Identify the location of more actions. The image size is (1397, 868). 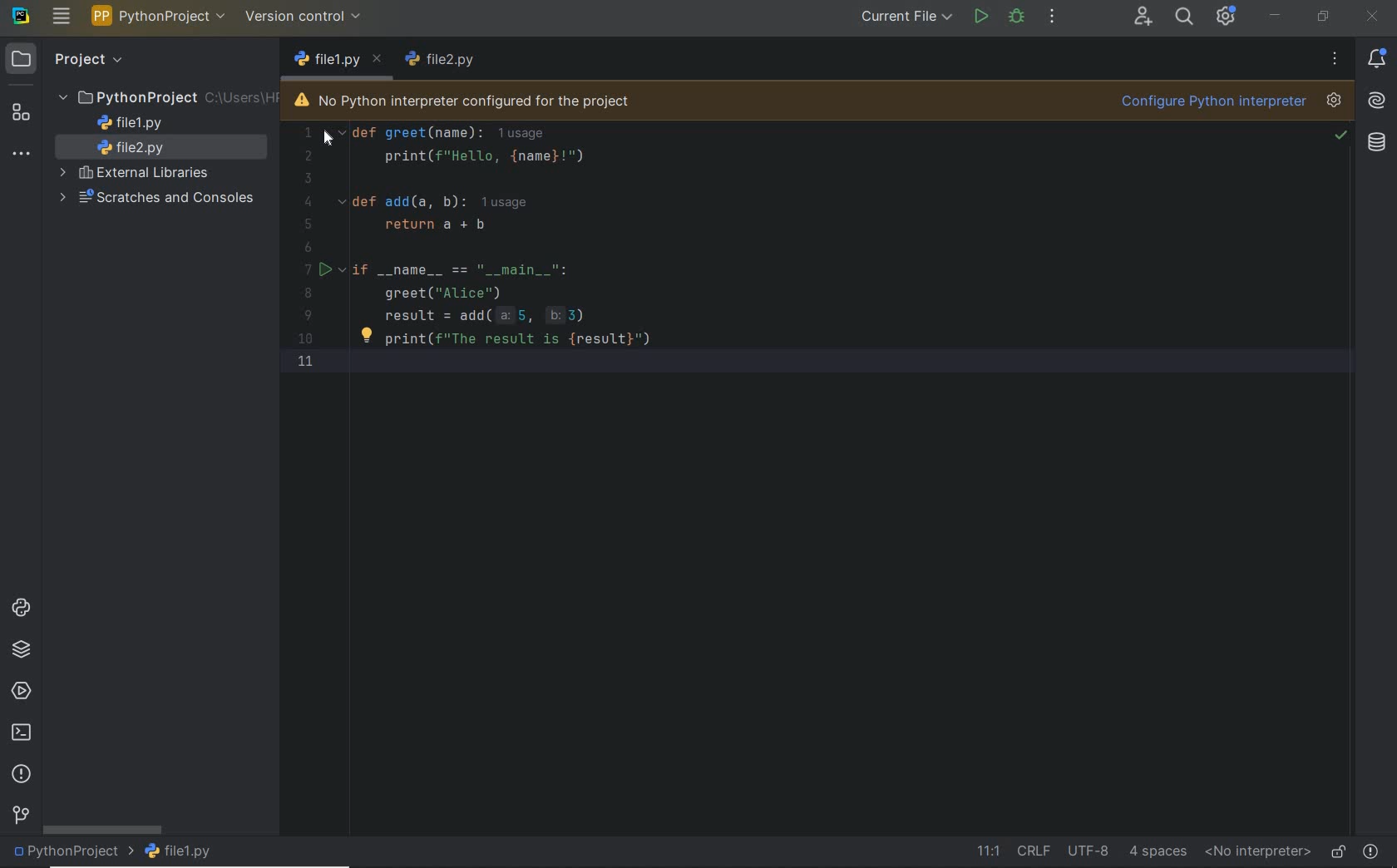
(1052, 16).